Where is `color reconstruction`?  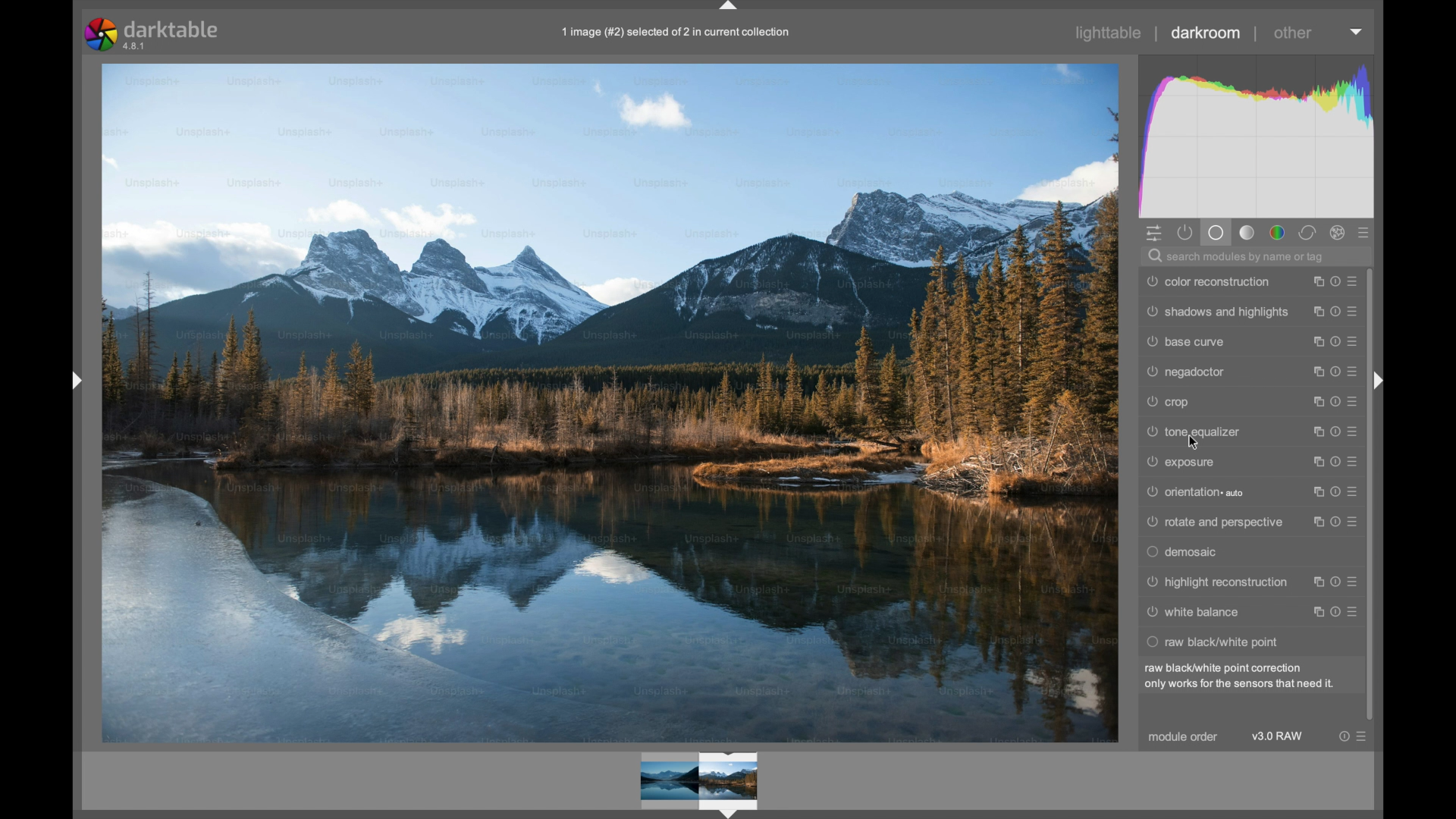 color reconstruction is located at coordinates (1208, 281).